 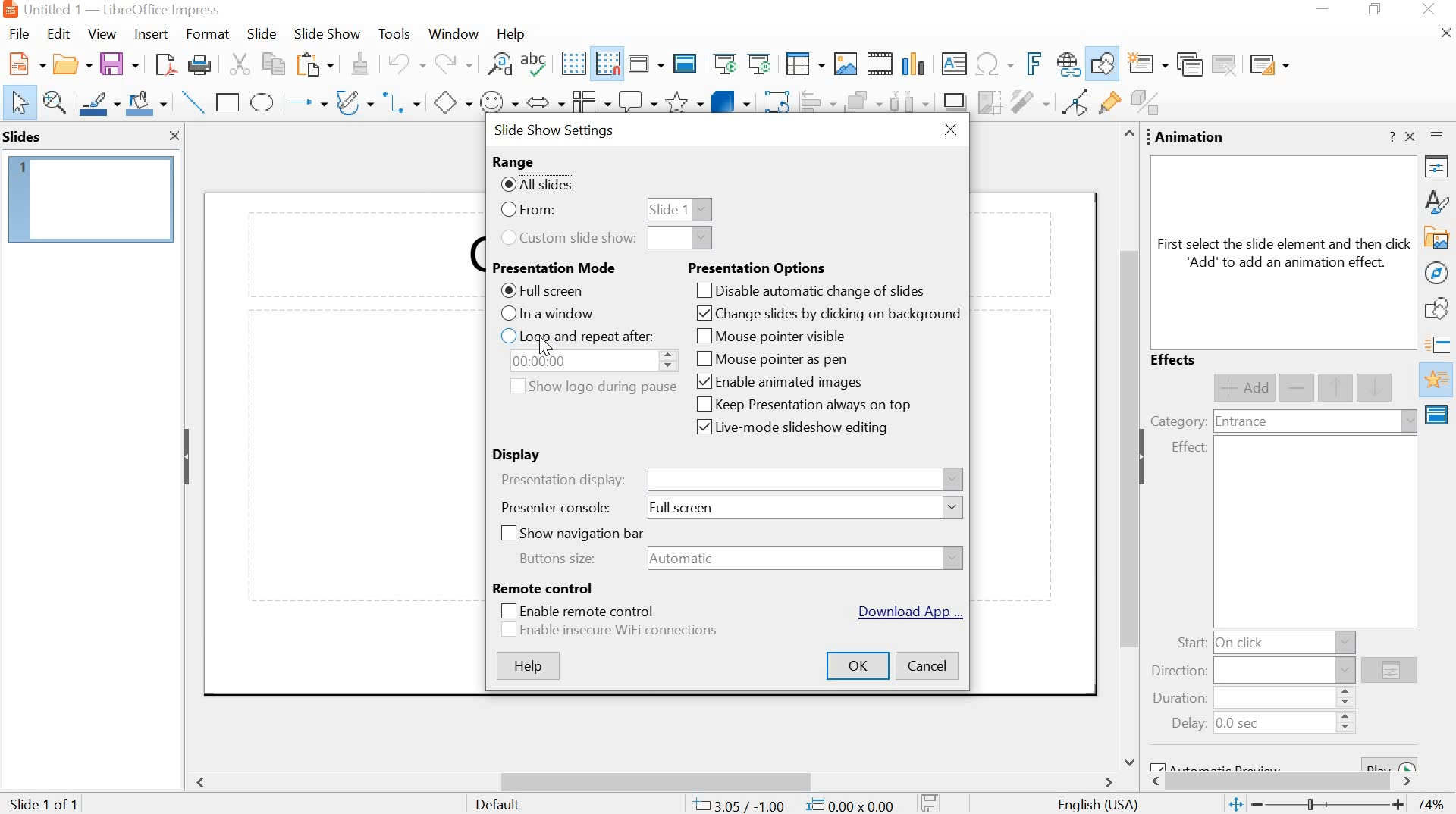 What do you see at coordinates (684, 104) in the screenshot?
I see `stars and banners` at bounding box center [684, 104].